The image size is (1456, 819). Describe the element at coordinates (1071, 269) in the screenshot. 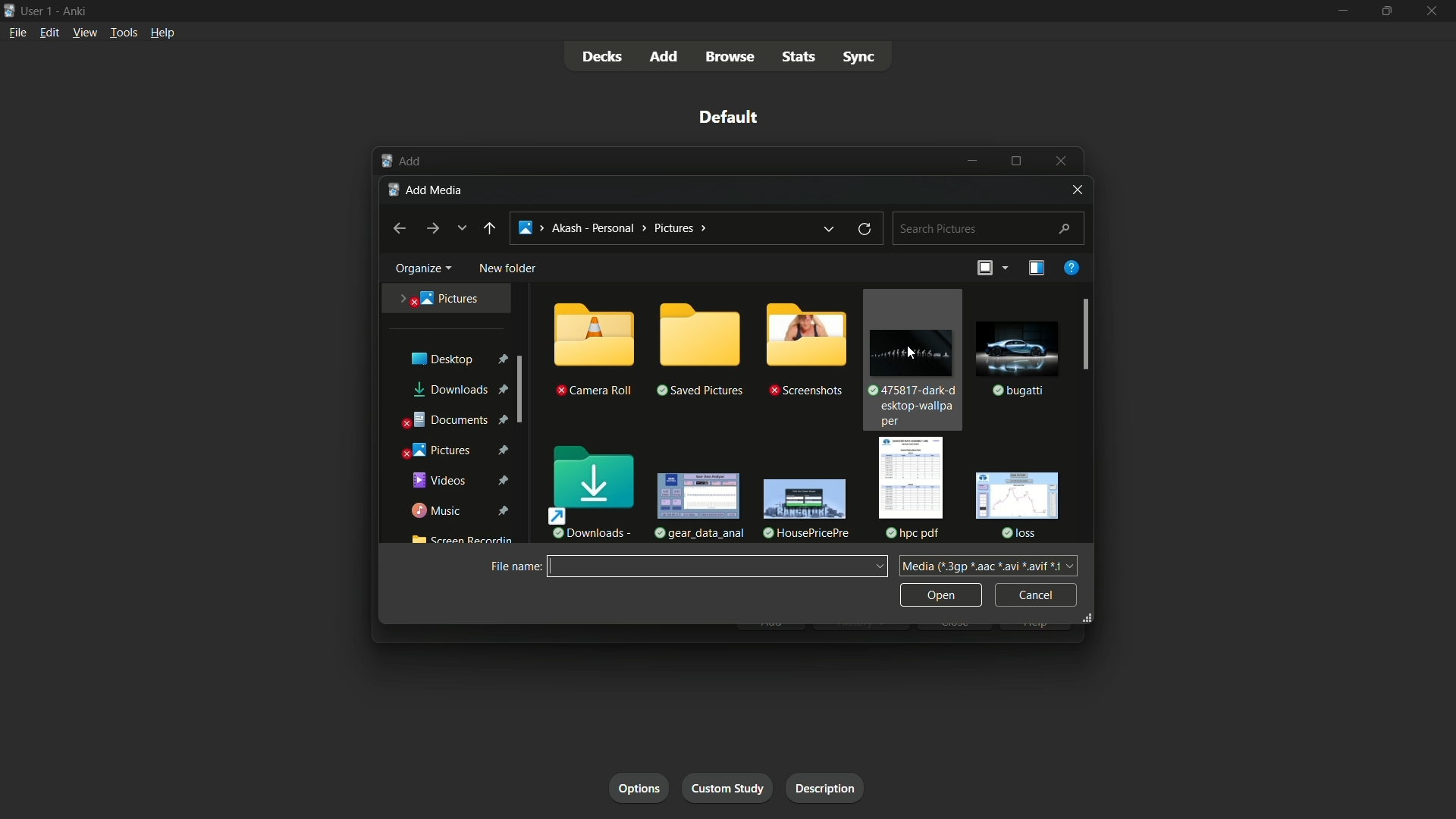

I see `get help` at that location.